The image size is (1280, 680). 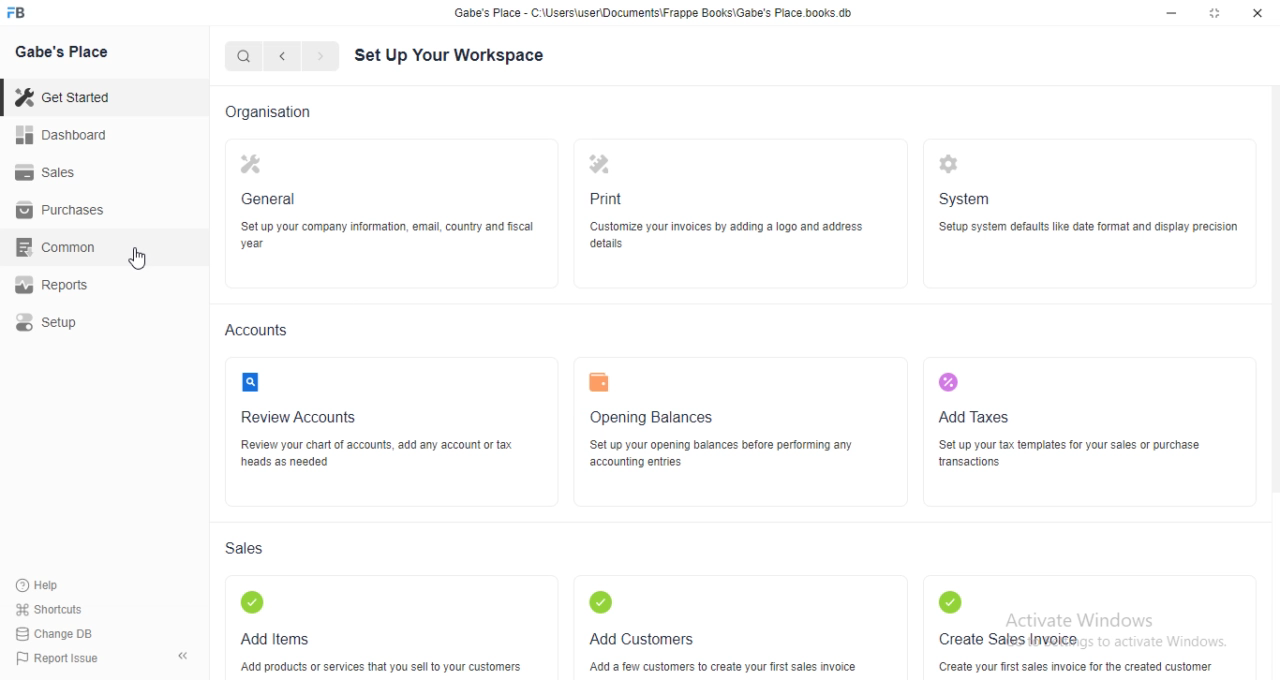 I want to click on Gabe's Place, so click(x=63, y=51).